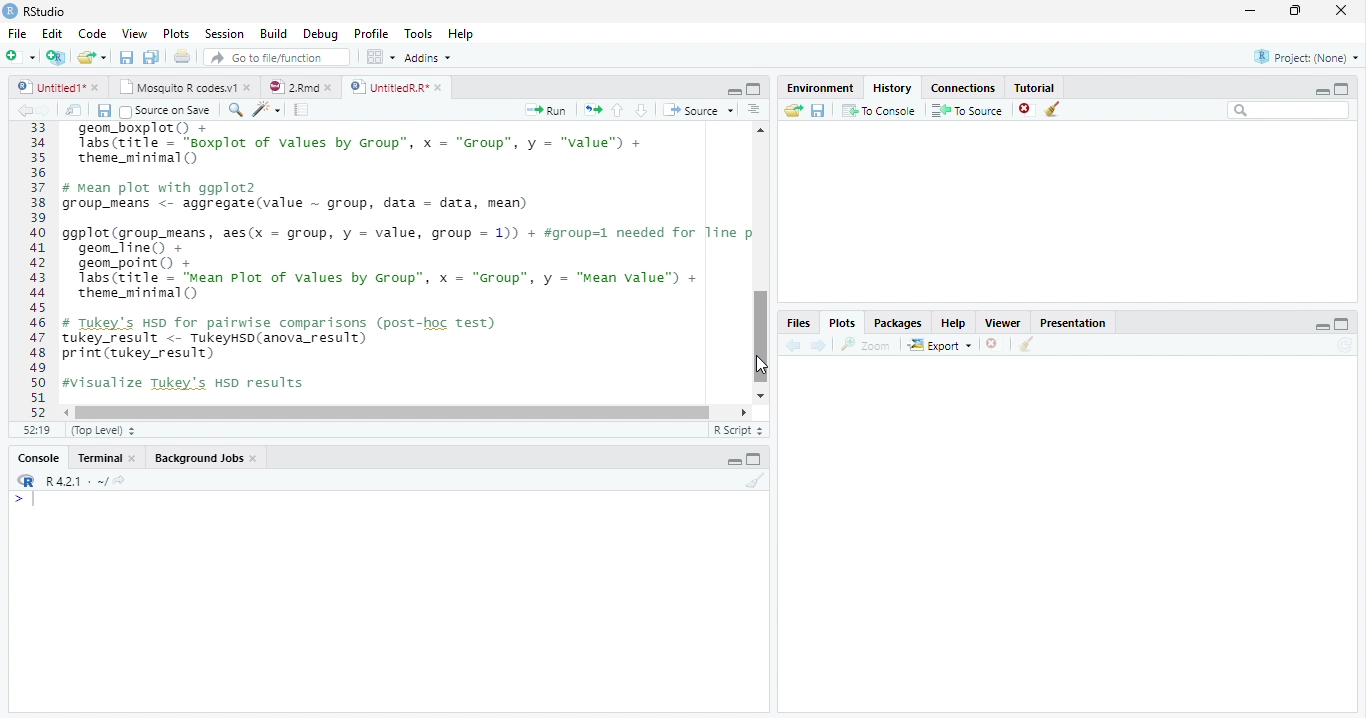  I want to click on Alignment, so click(753, 111).